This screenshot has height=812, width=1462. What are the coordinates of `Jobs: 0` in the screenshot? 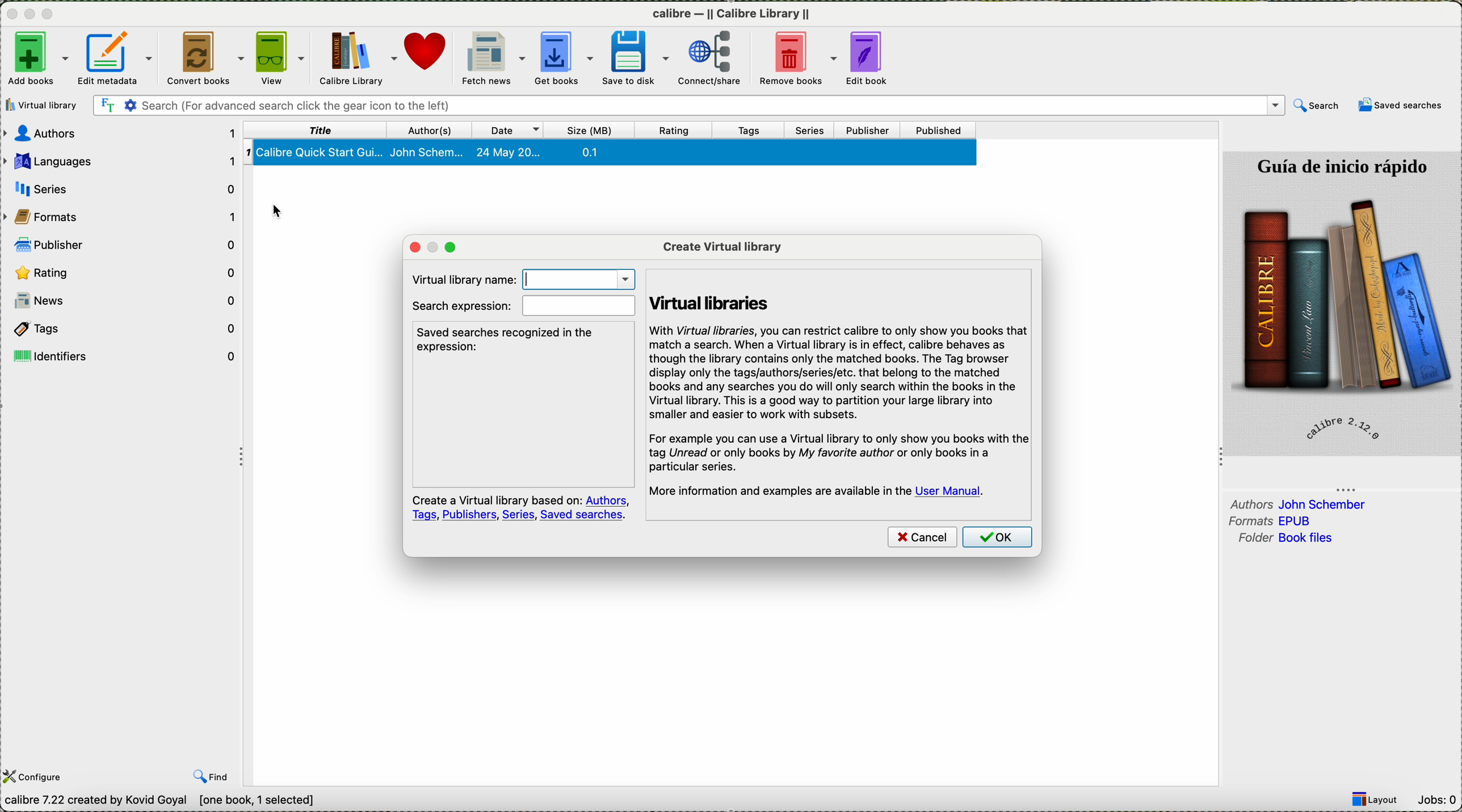 It's located at (1439, 800).